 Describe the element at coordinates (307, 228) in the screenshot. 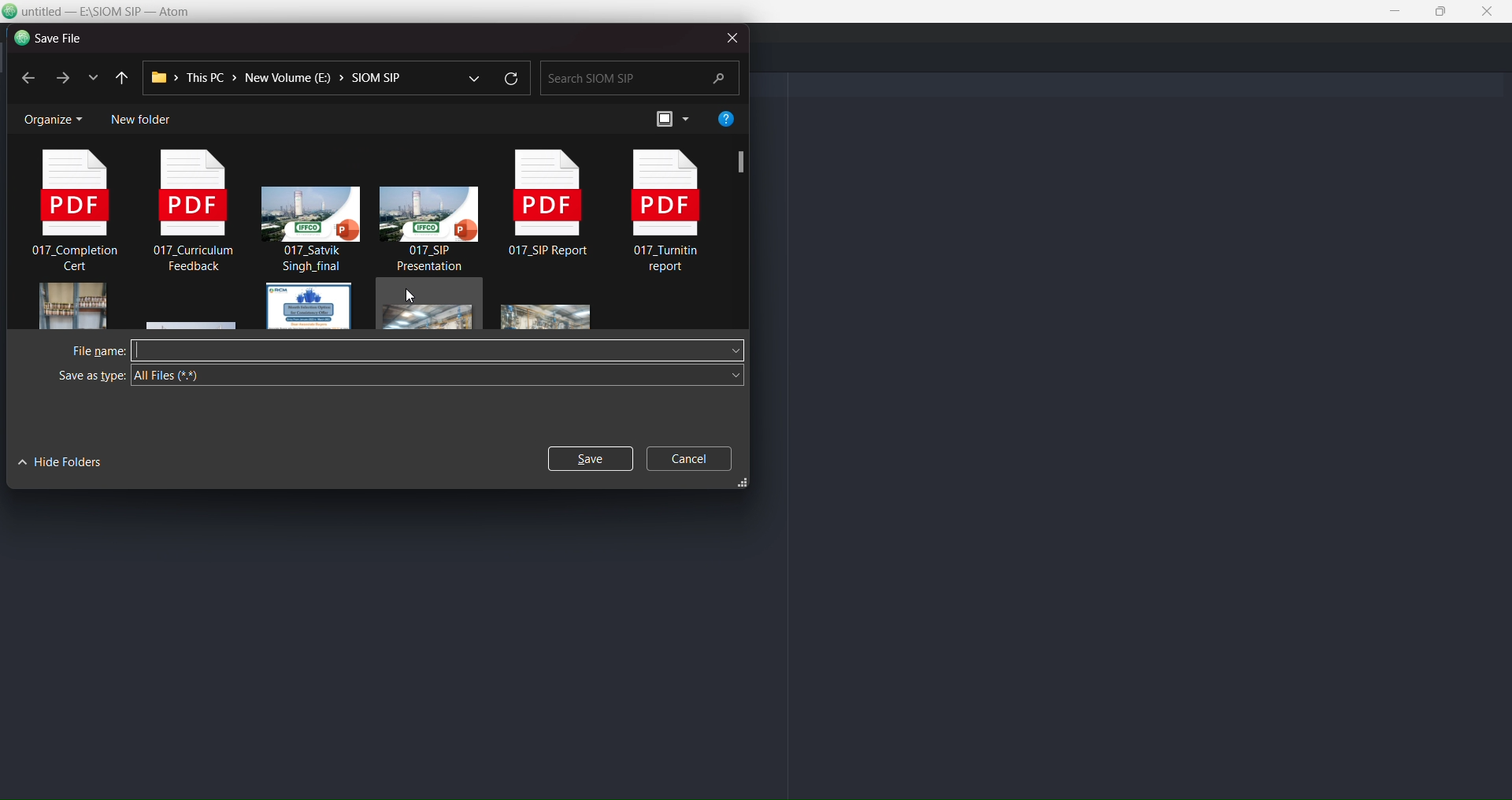

I see `presentation` at that location.